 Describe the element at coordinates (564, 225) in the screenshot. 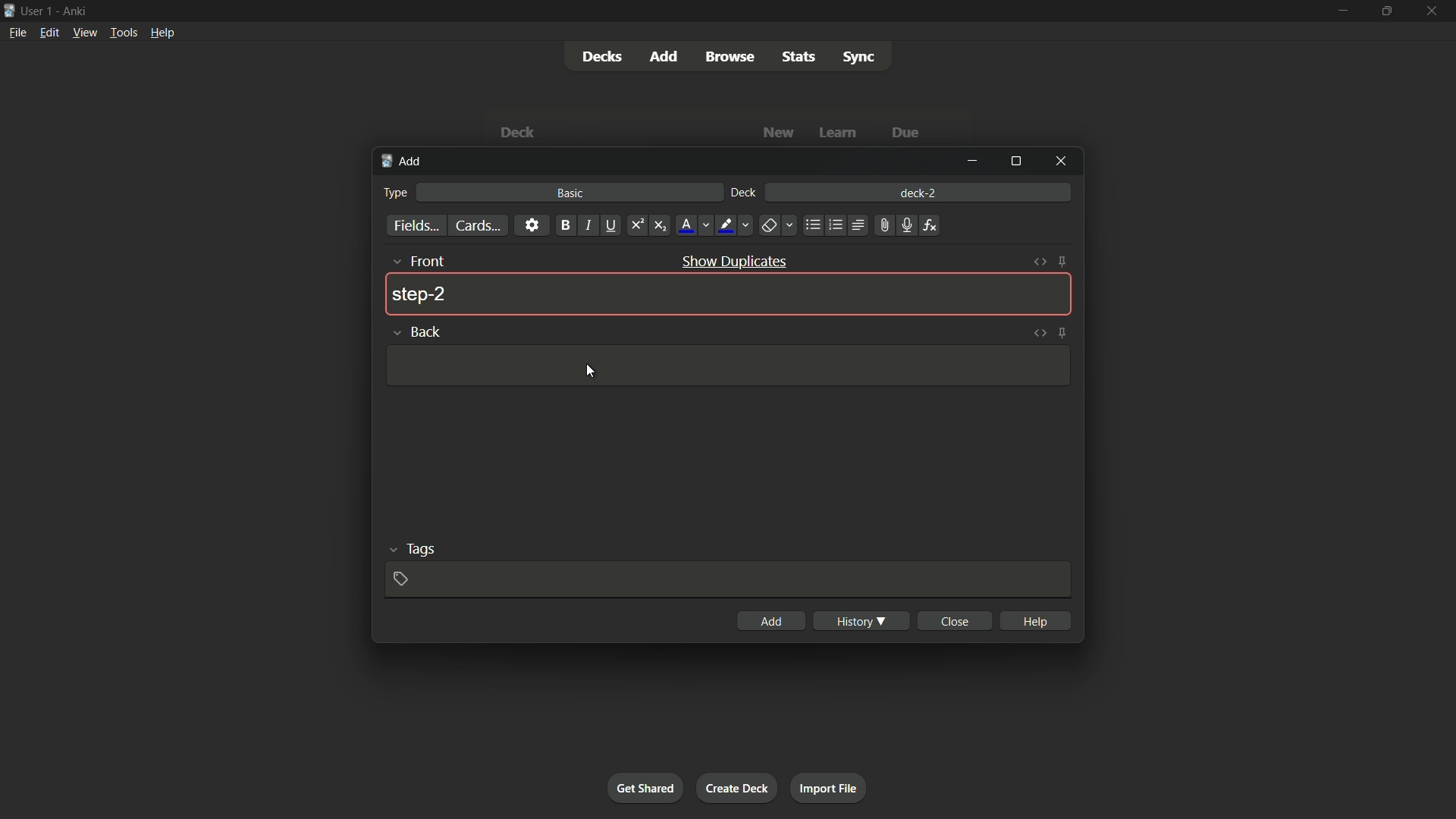

I see `bold` at that location.